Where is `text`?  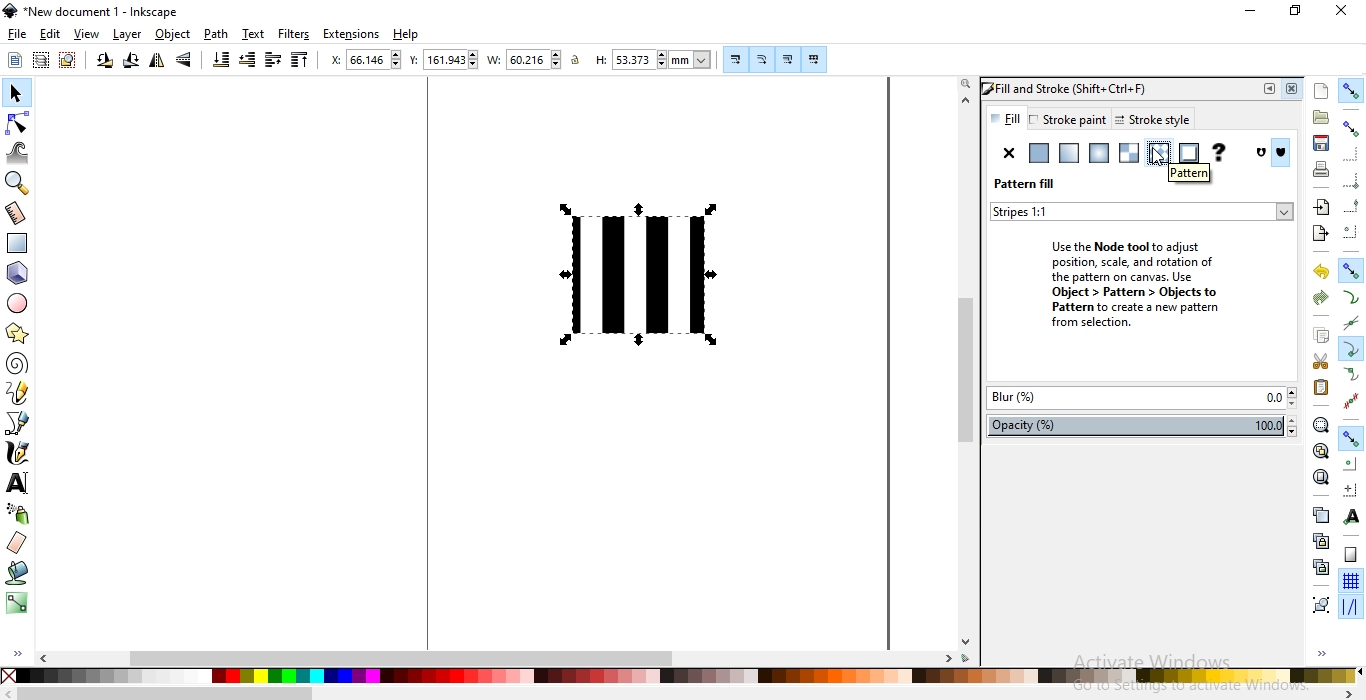 text is located at coordinates (254, 34).